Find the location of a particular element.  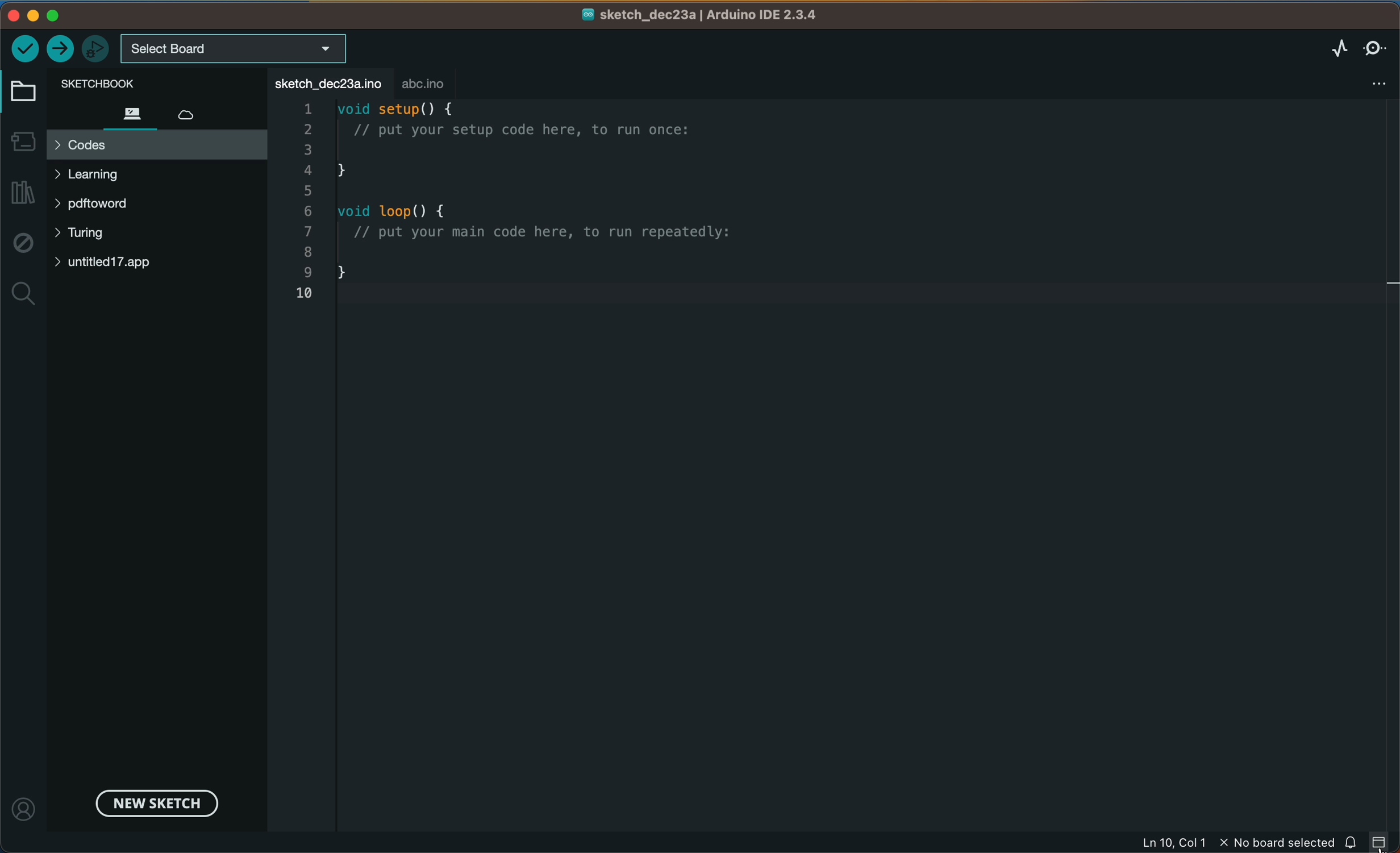

profile is located at coordinates (23, 804).